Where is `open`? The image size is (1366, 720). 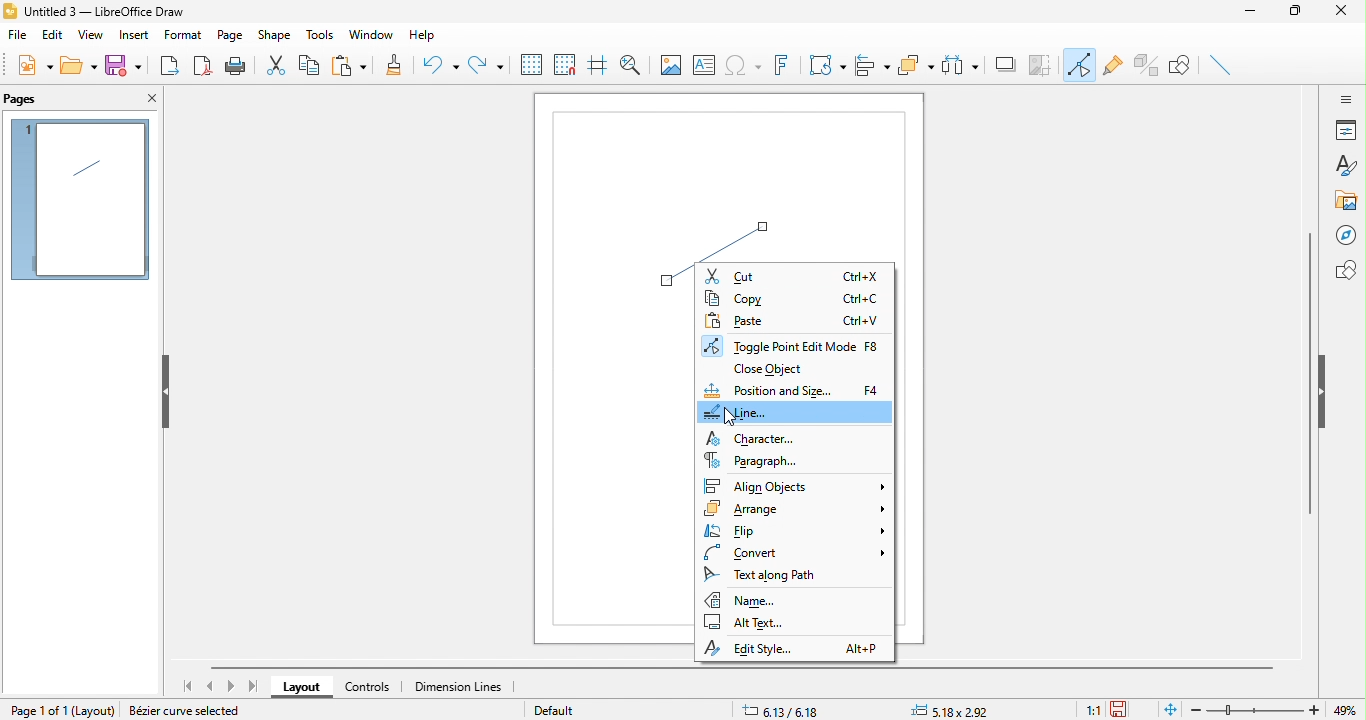
open is located at coordinates (80, 65).